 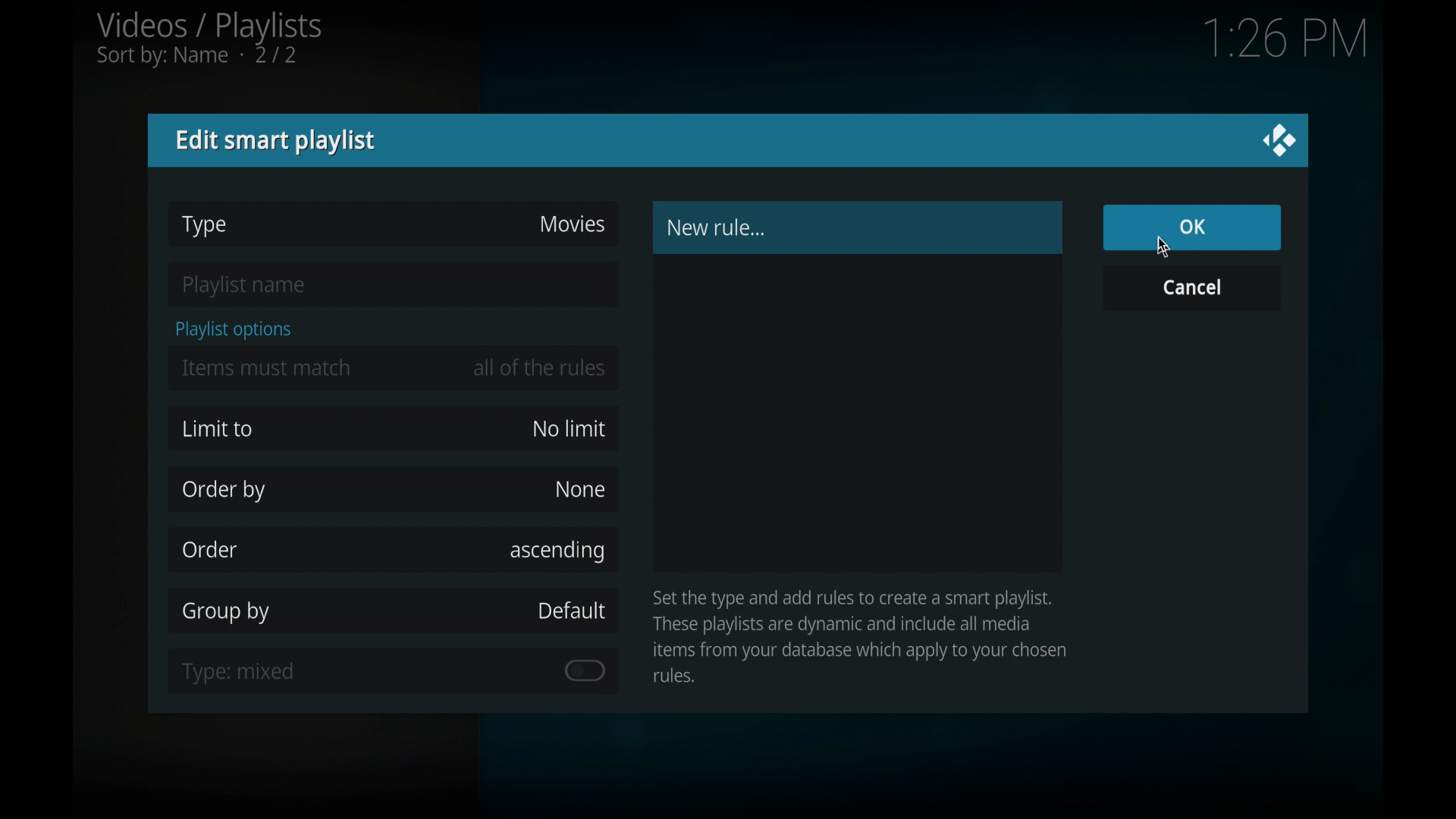 What do you see at coordinates (234, 330) in the screenshot?
I see `playlist options` at bounding box center [234, 330].